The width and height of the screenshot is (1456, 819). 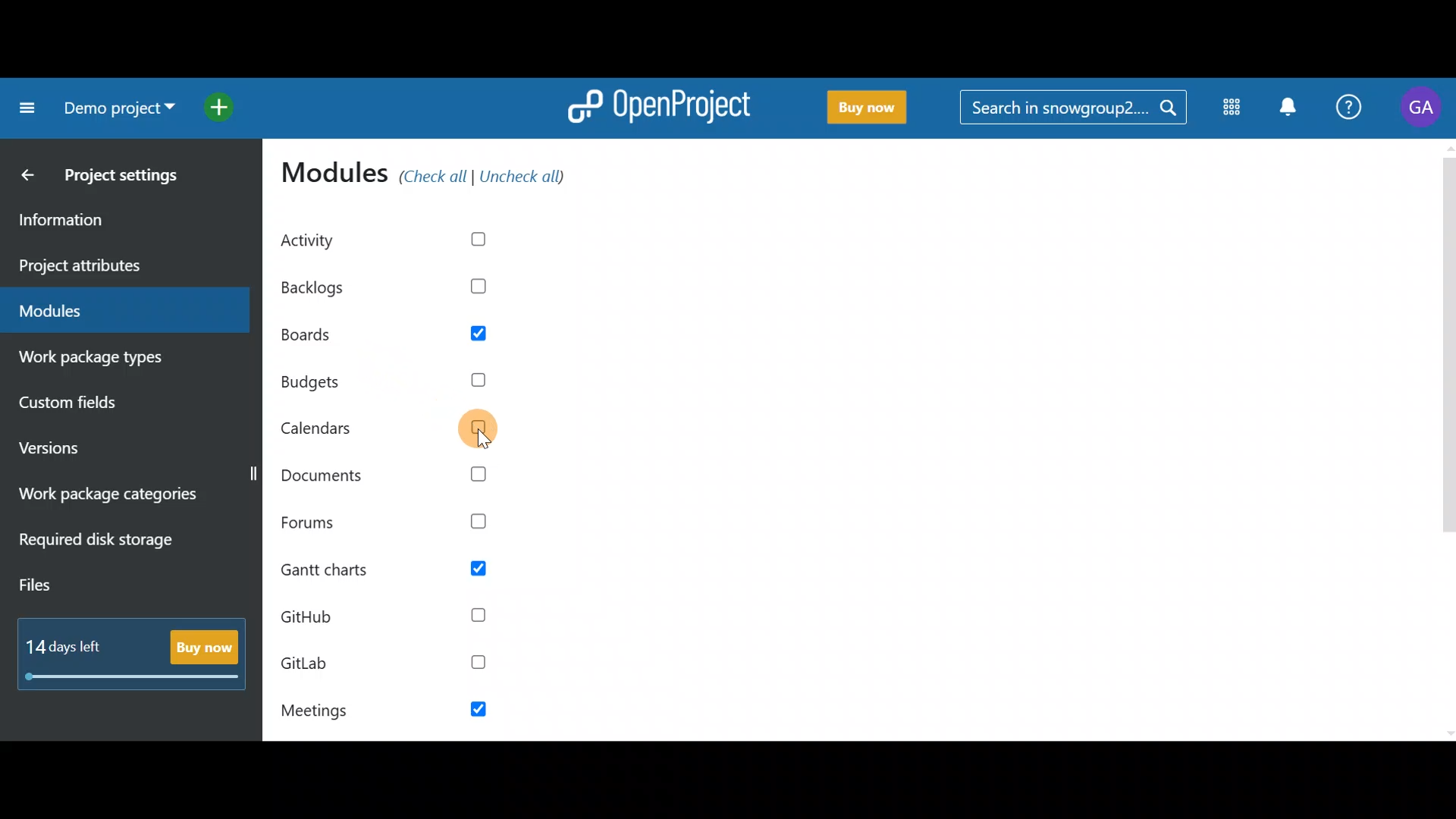 I want to click on Account name, so click(x=1419, y=111).